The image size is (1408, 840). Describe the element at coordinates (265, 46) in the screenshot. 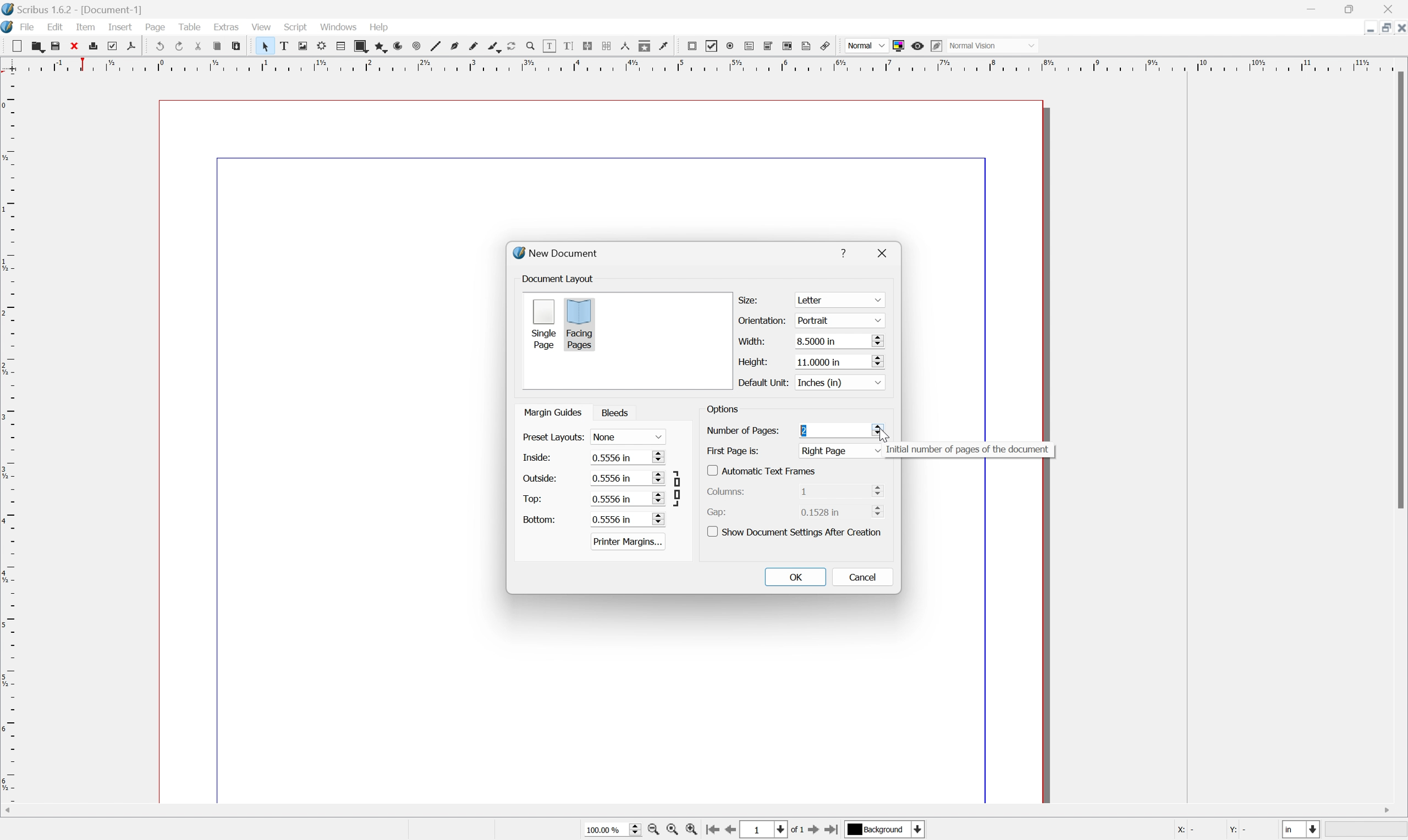

I see `Select item` at that location.